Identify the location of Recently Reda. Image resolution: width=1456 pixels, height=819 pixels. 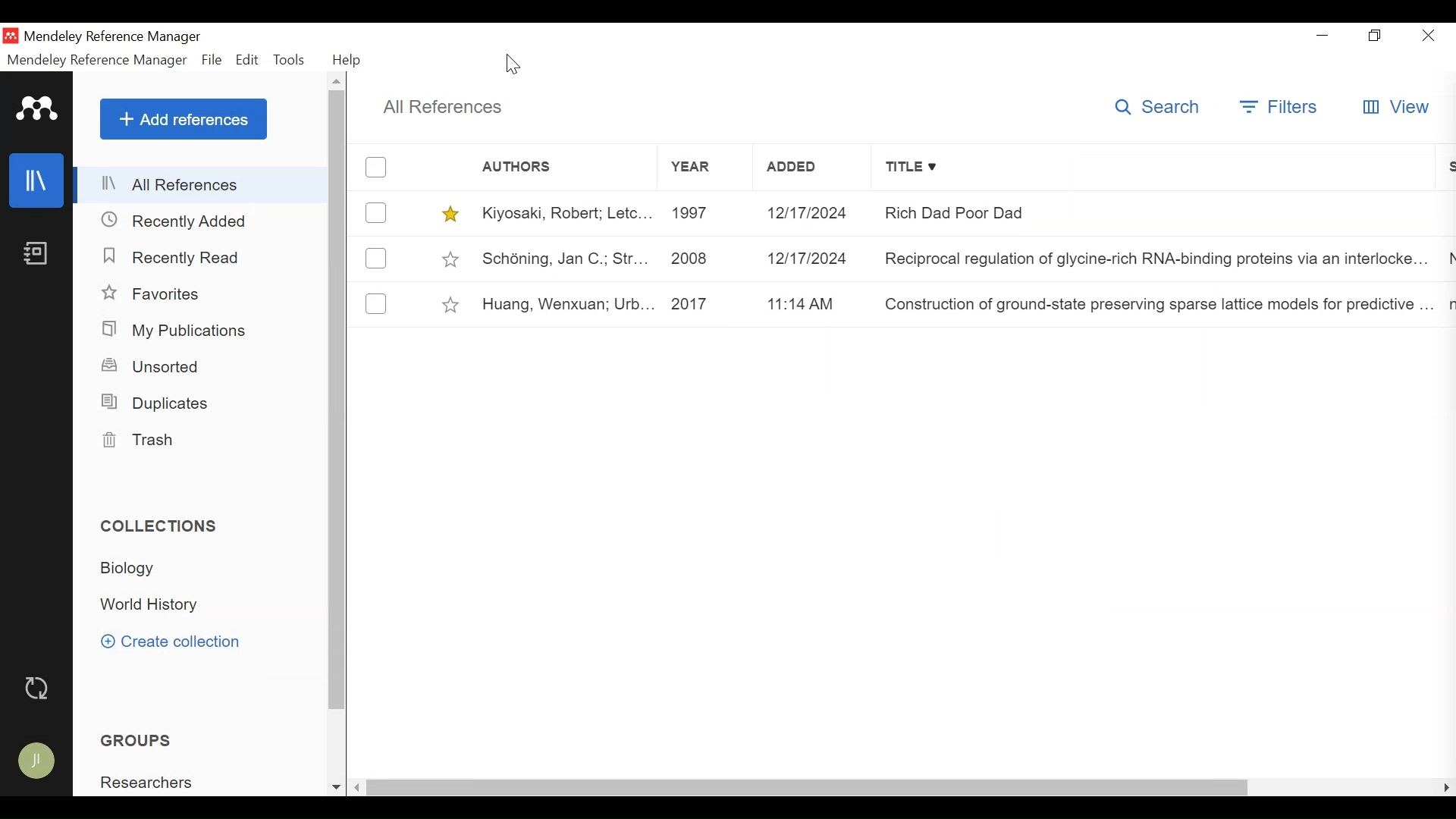
(172, 257).